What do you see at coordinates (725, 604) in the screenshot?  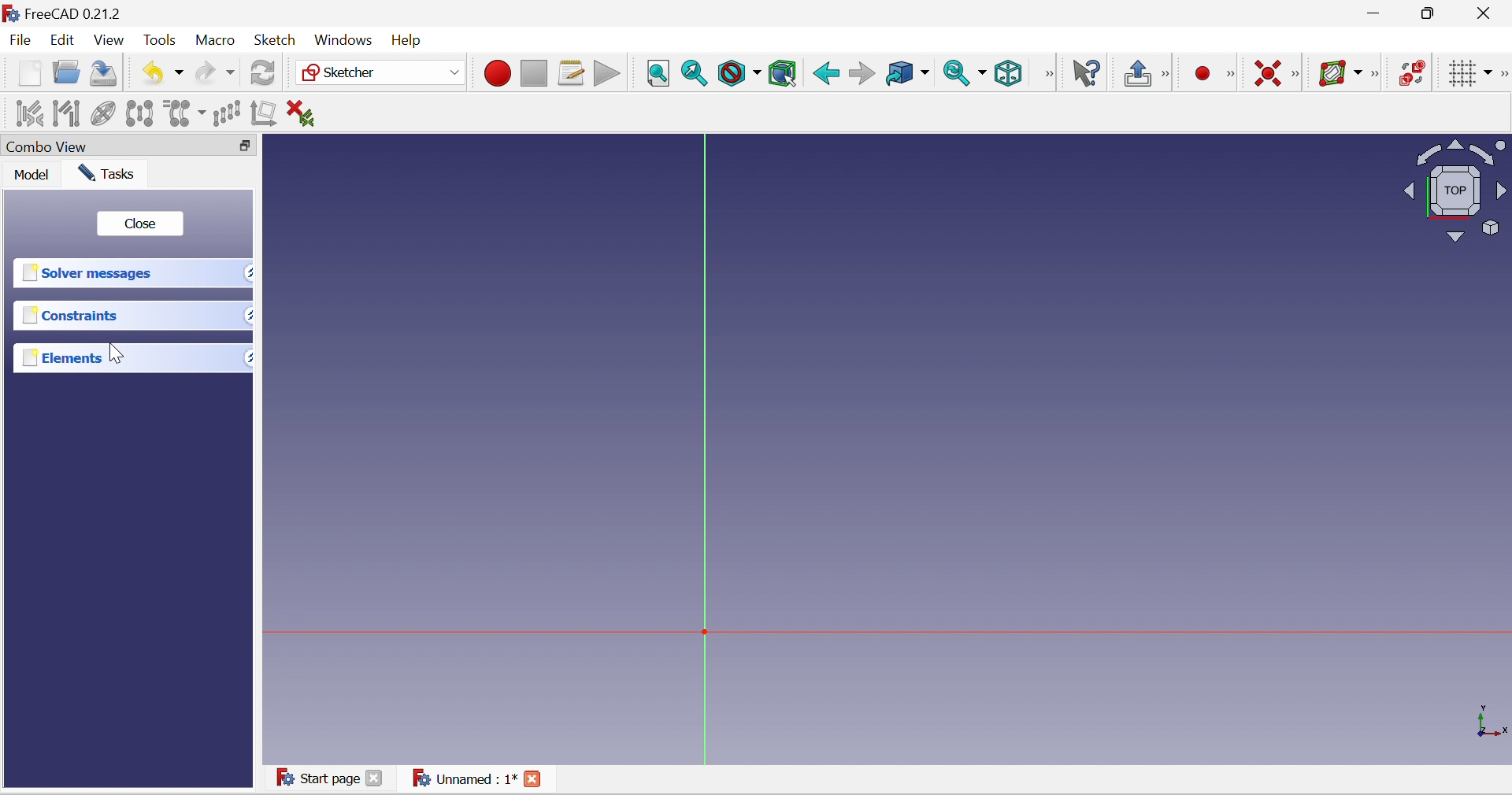 I see `Canvas element` at bounding box center [725, 604].